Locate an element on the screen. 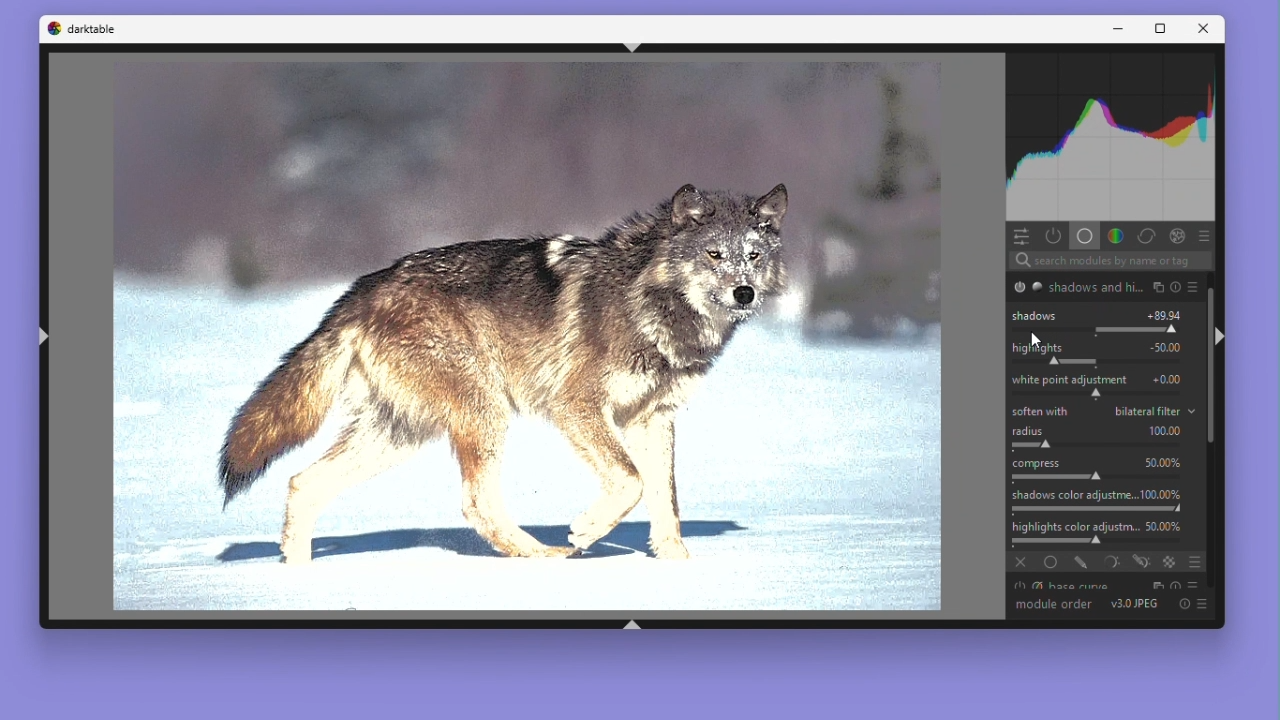 This screenshot has width=1280, height=720. +0.00 is located at coordinates (1168, 379).